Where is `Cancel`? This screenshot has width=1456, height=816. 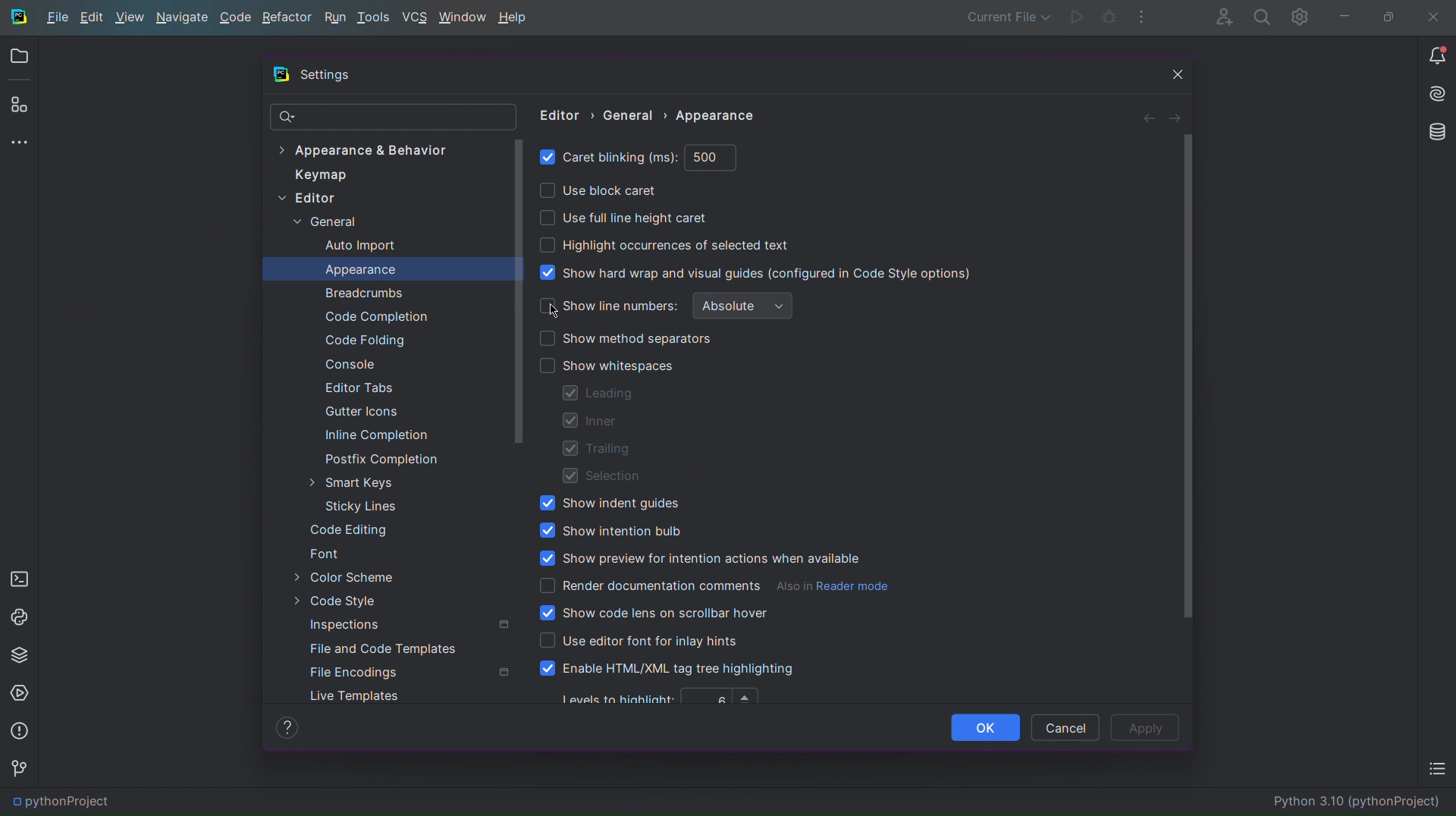
Cancel is located at coordinates (1065, 726).